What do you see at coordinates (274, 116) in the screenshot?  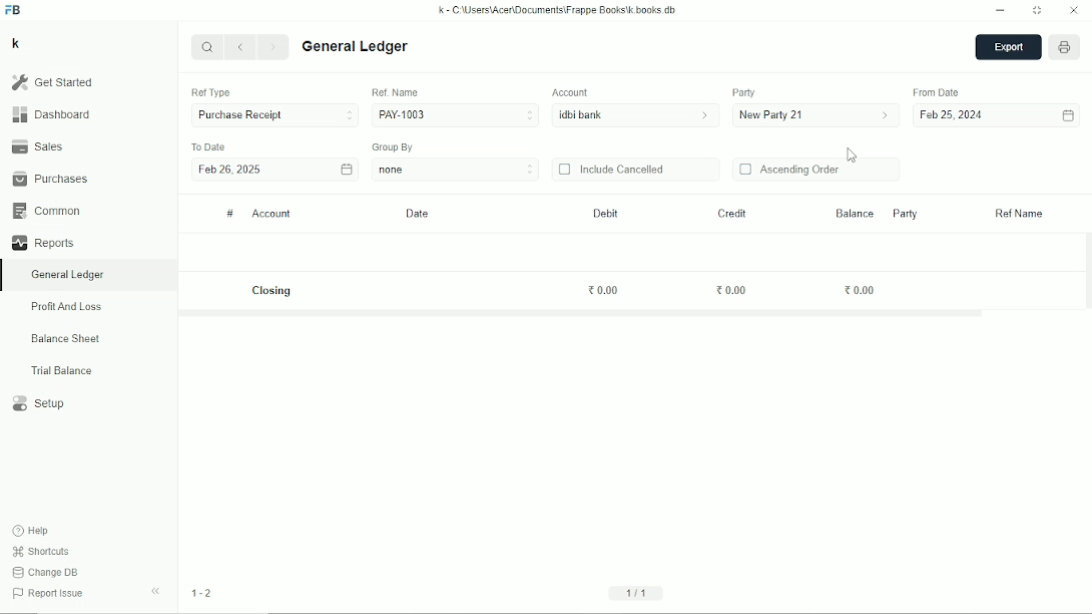 I see `Purchase receipt` at bounding box center [274, 116].